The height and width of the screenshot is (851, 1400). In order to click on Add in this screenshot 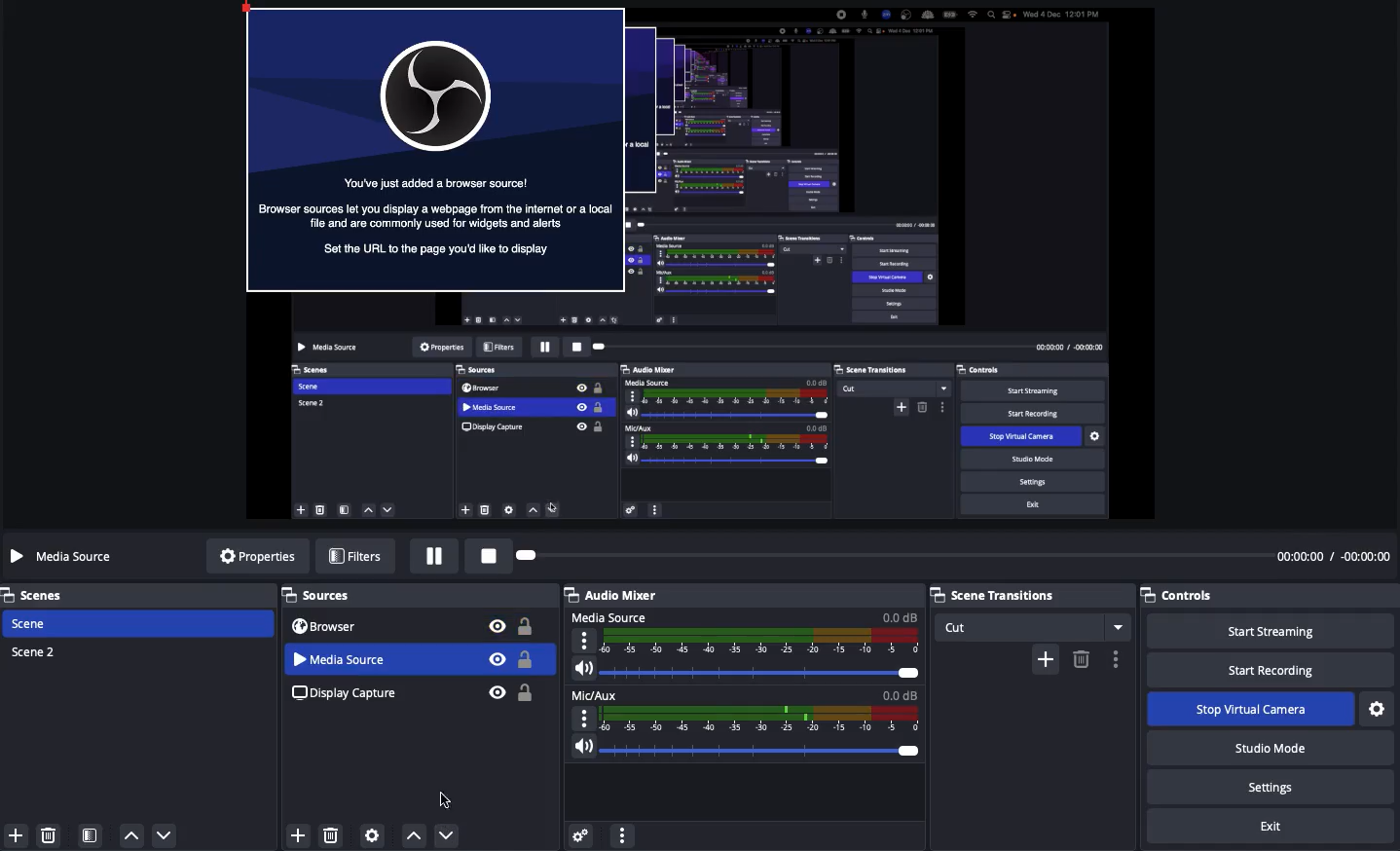, I will do `click(1046, 660)`.